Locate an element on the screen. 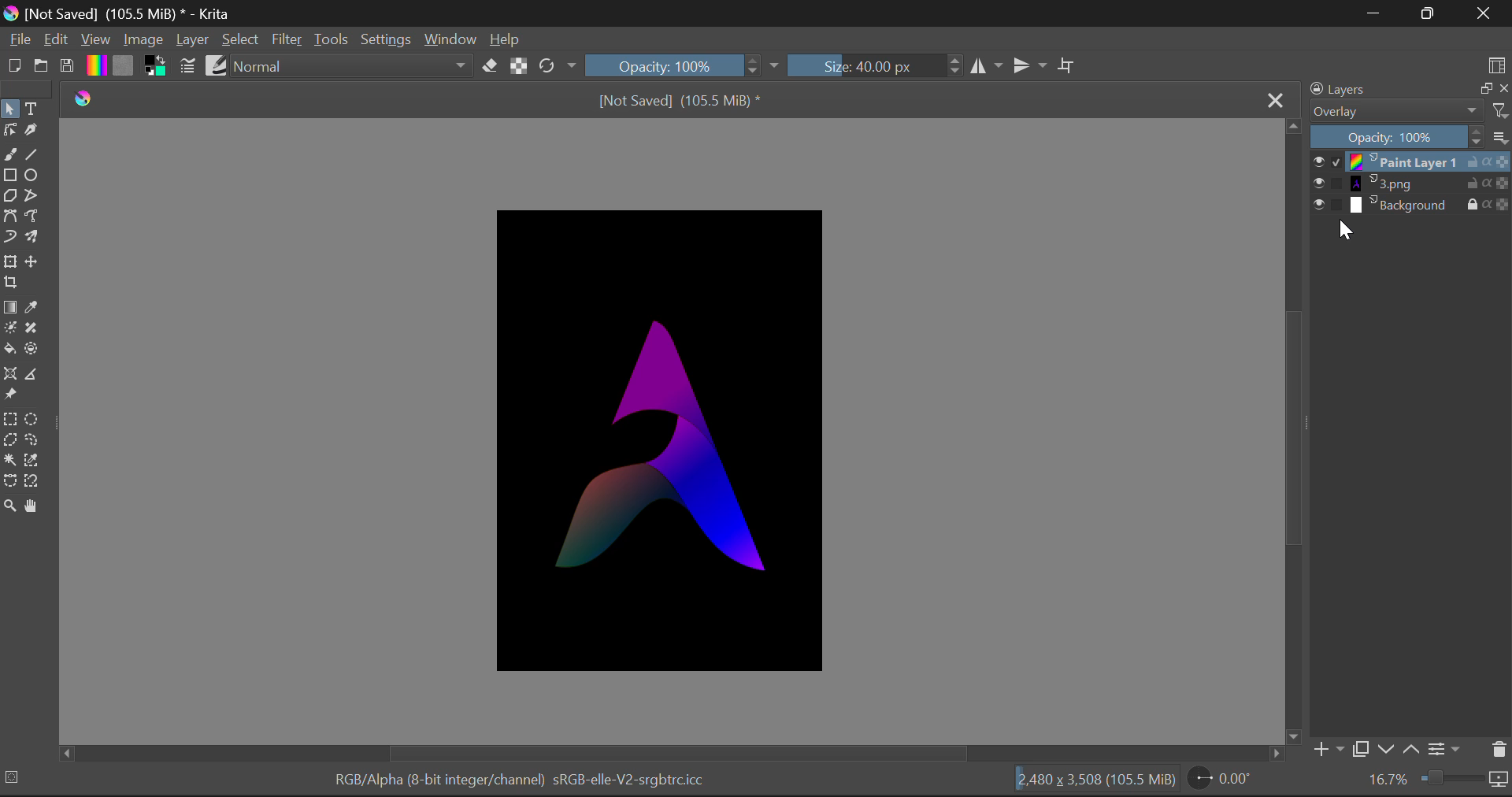  Text is located at coordinates (38, 109).